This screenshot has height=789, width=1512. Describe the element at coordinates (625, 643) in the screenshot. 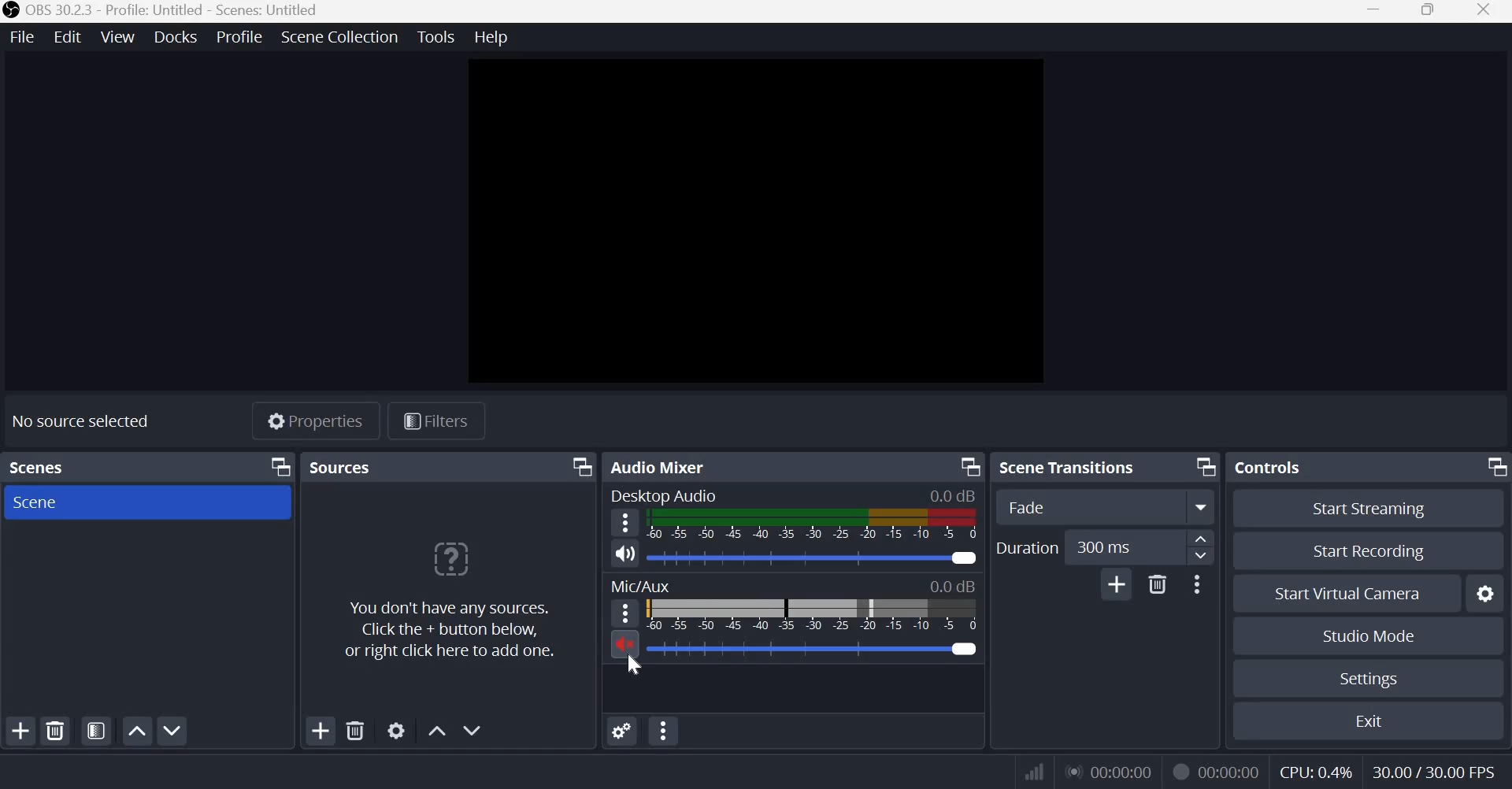

I see `Muted microphone` at that location.